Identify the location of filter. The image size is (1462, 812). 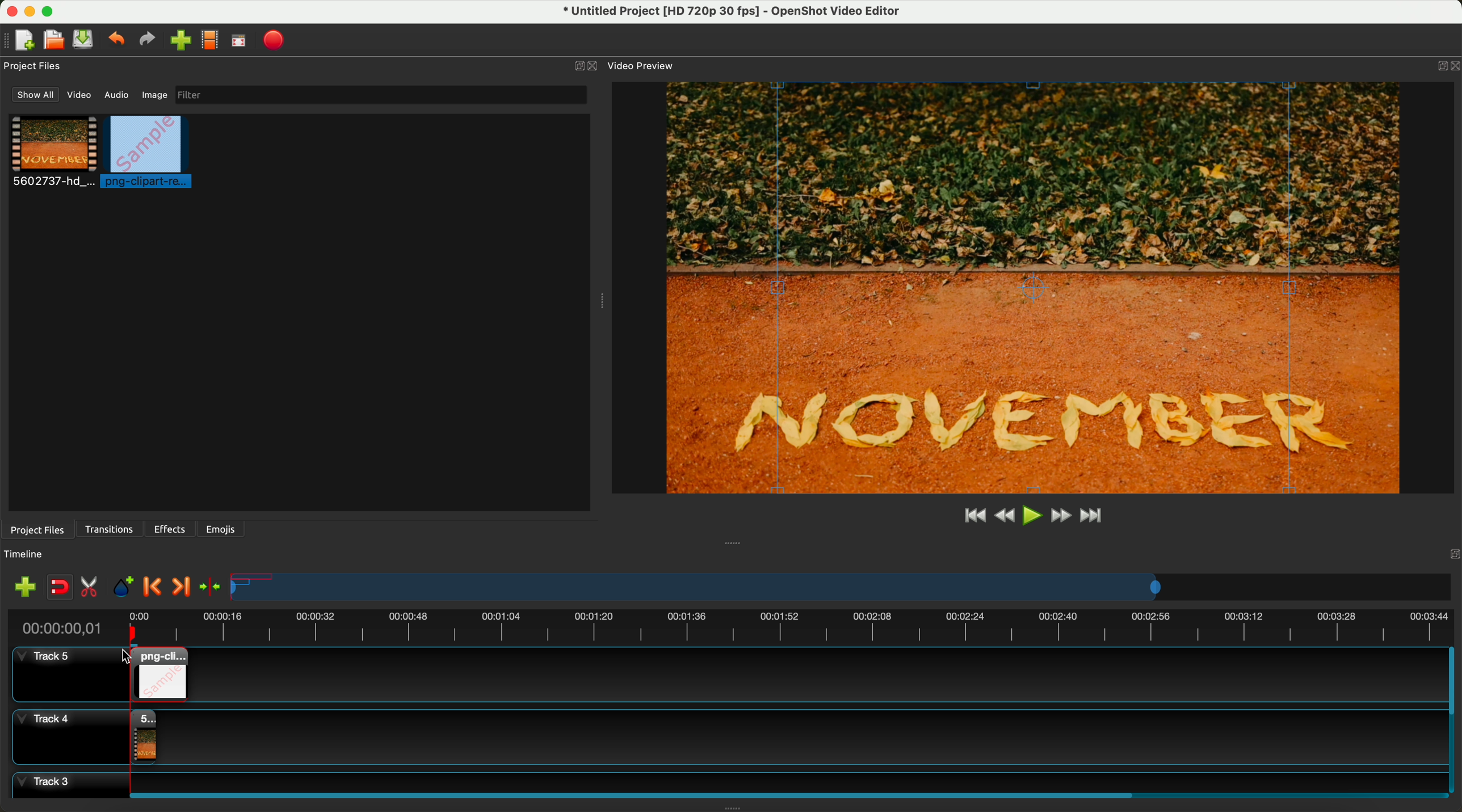
(378, 95).